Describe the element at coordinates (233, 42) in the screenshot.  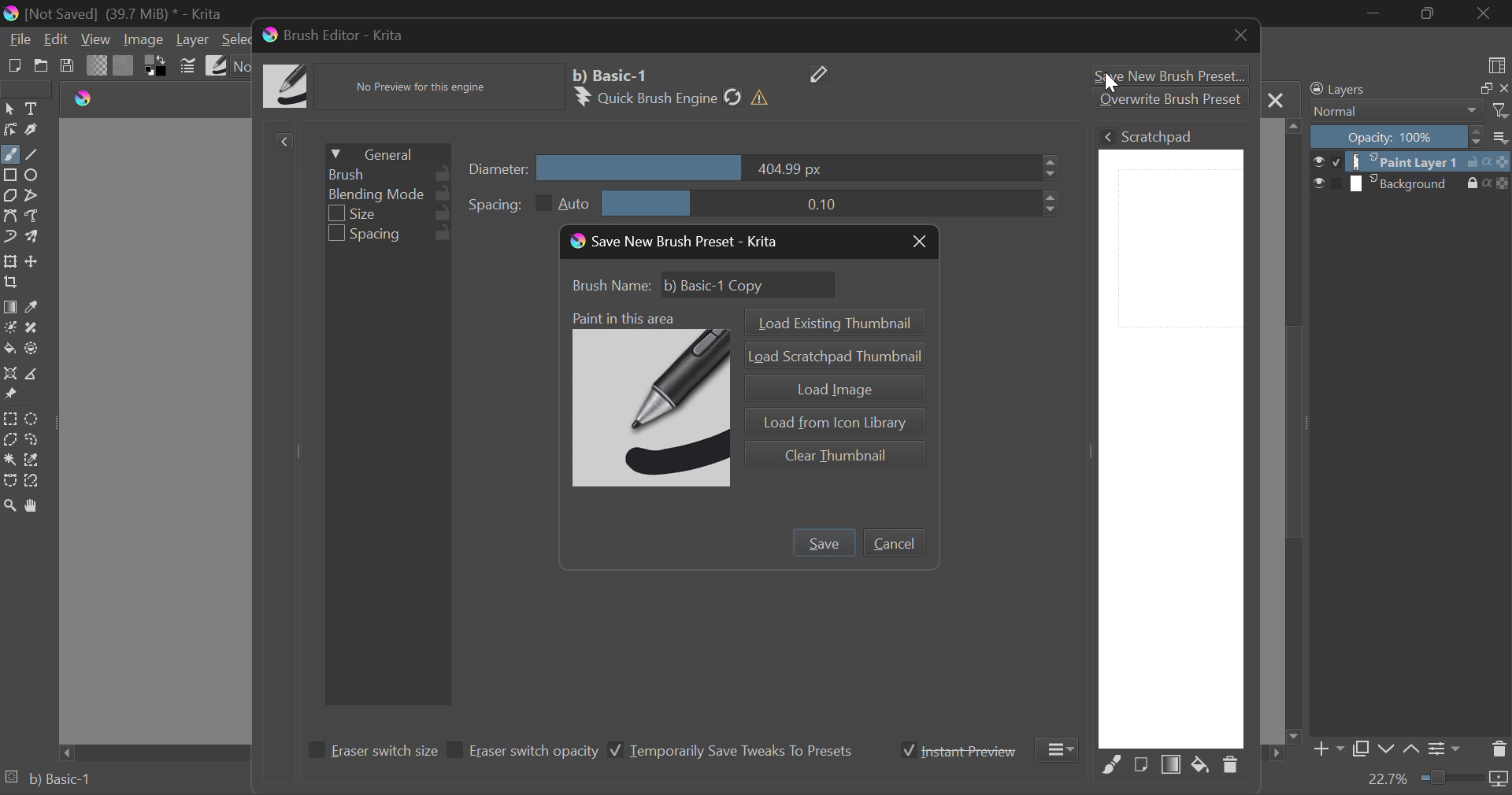
I see `Select` at that location.